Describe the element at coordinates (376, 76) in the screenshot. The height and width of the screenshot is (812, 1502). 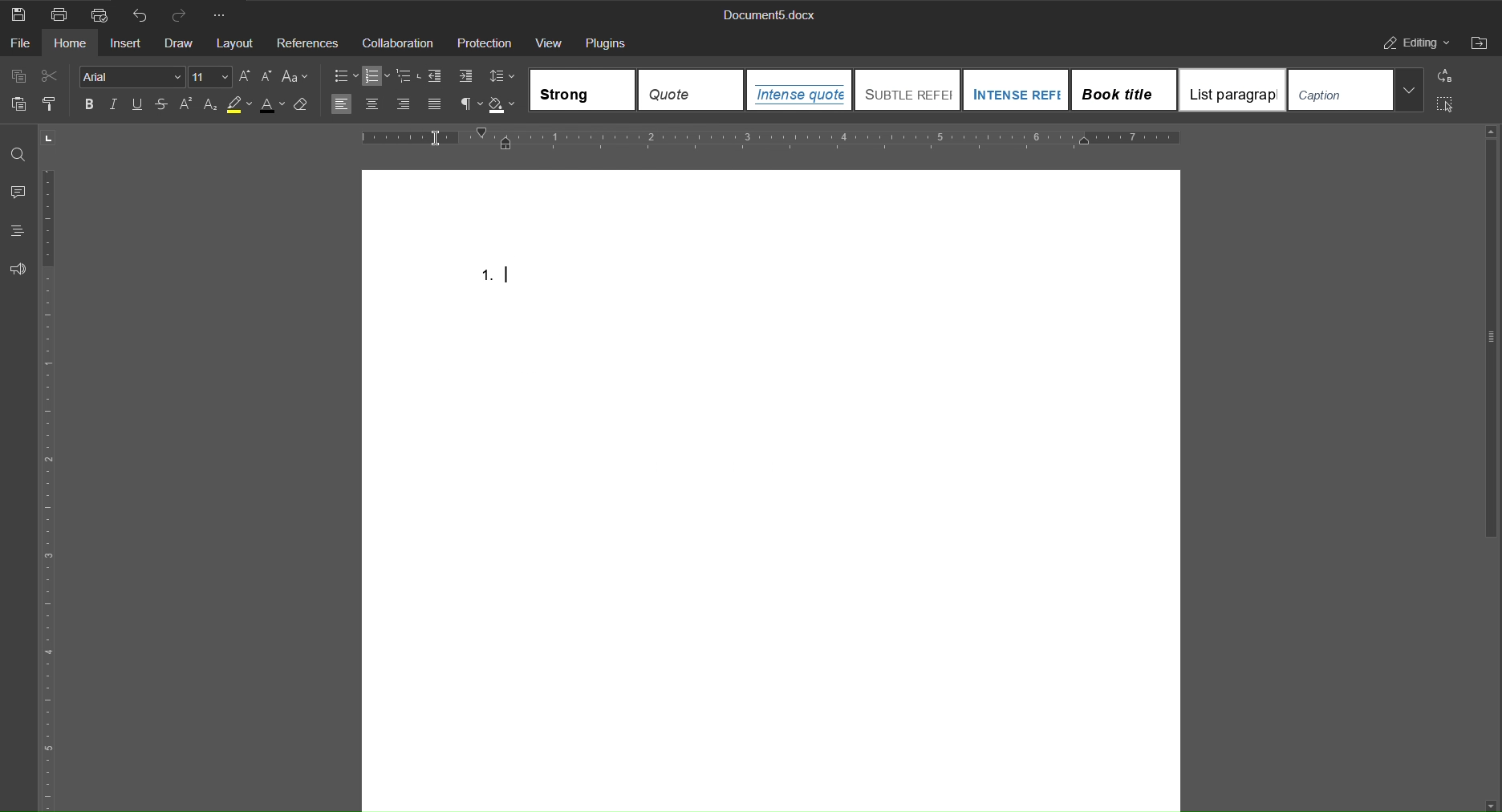
I see `numbering` at that location.